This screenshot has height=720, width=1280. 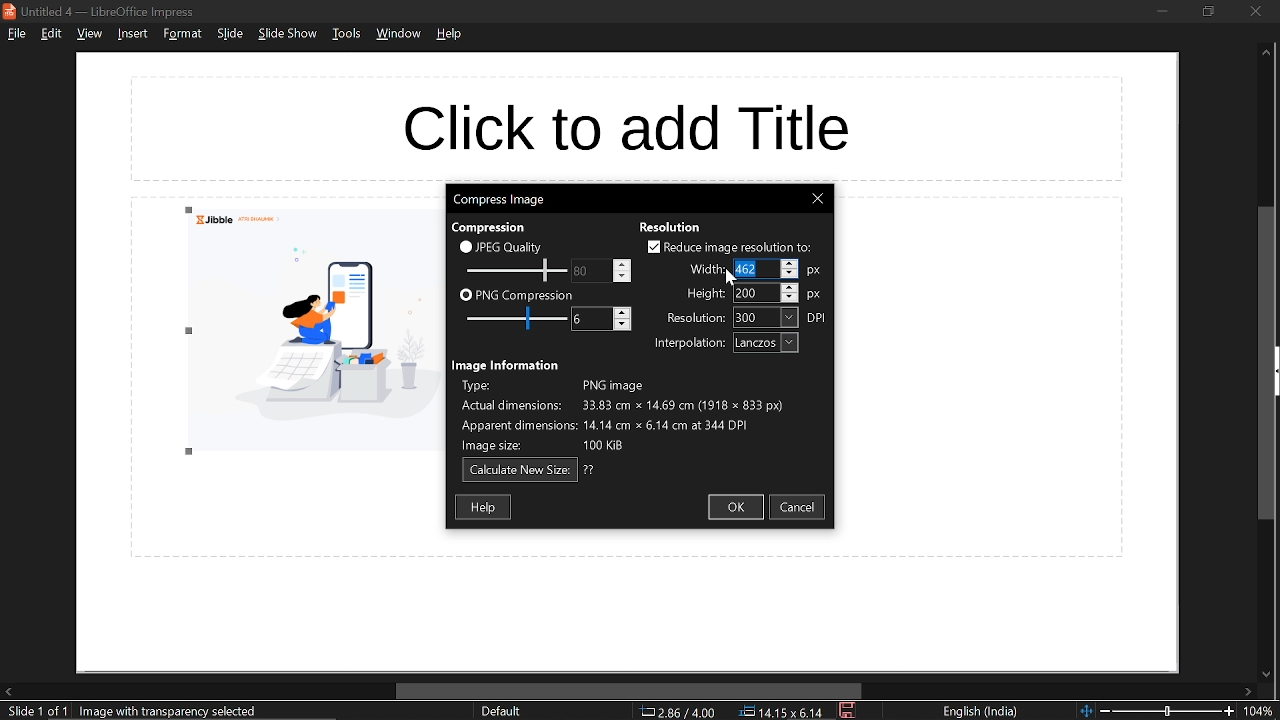 I want to click on reduce image resolution to, so click(x=730, y=247).